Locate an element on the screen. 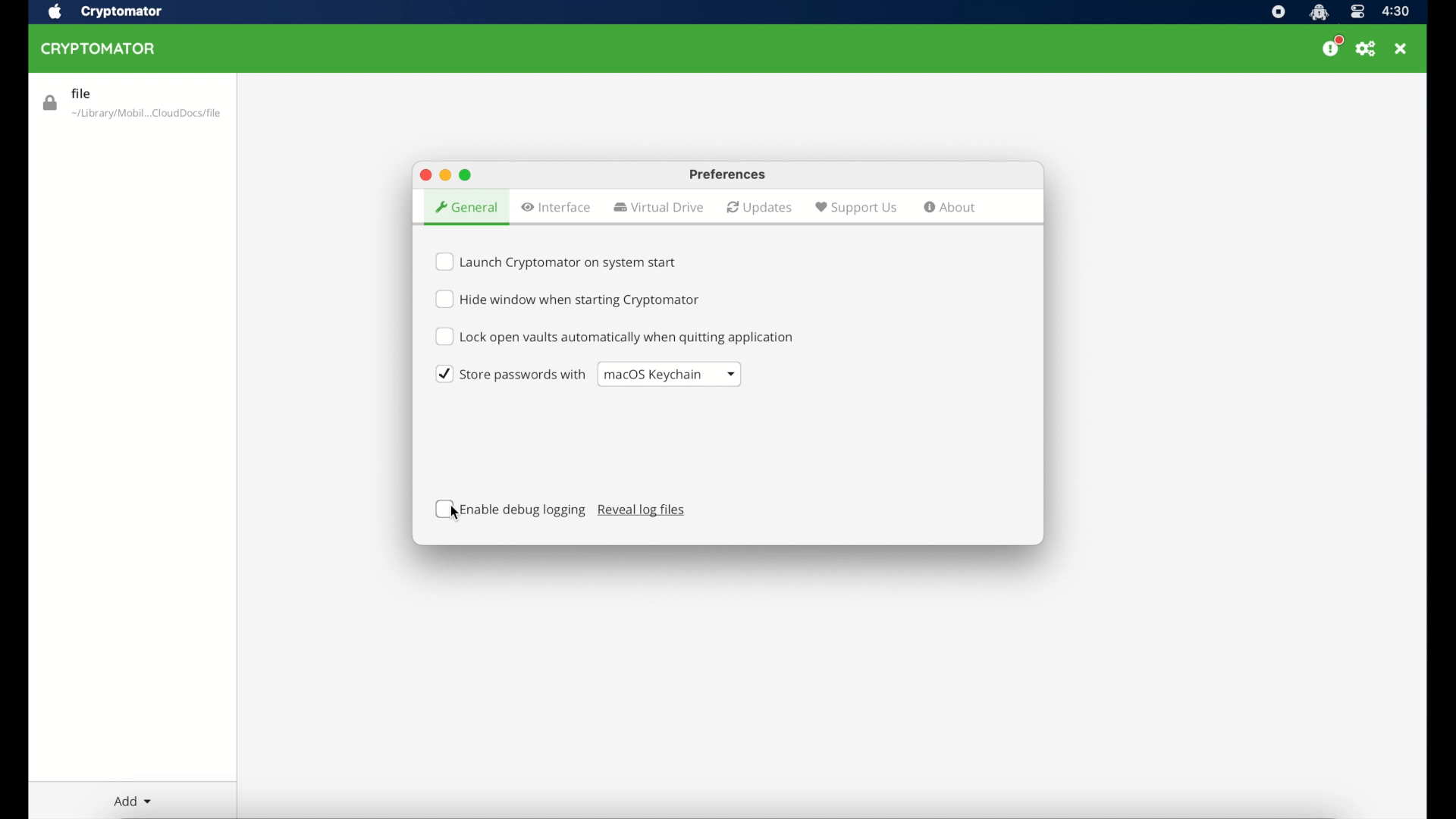 This screenshot has height=819, width=1456. Lock open vaults automatically when quitting application is located at coordinates (616, 337).